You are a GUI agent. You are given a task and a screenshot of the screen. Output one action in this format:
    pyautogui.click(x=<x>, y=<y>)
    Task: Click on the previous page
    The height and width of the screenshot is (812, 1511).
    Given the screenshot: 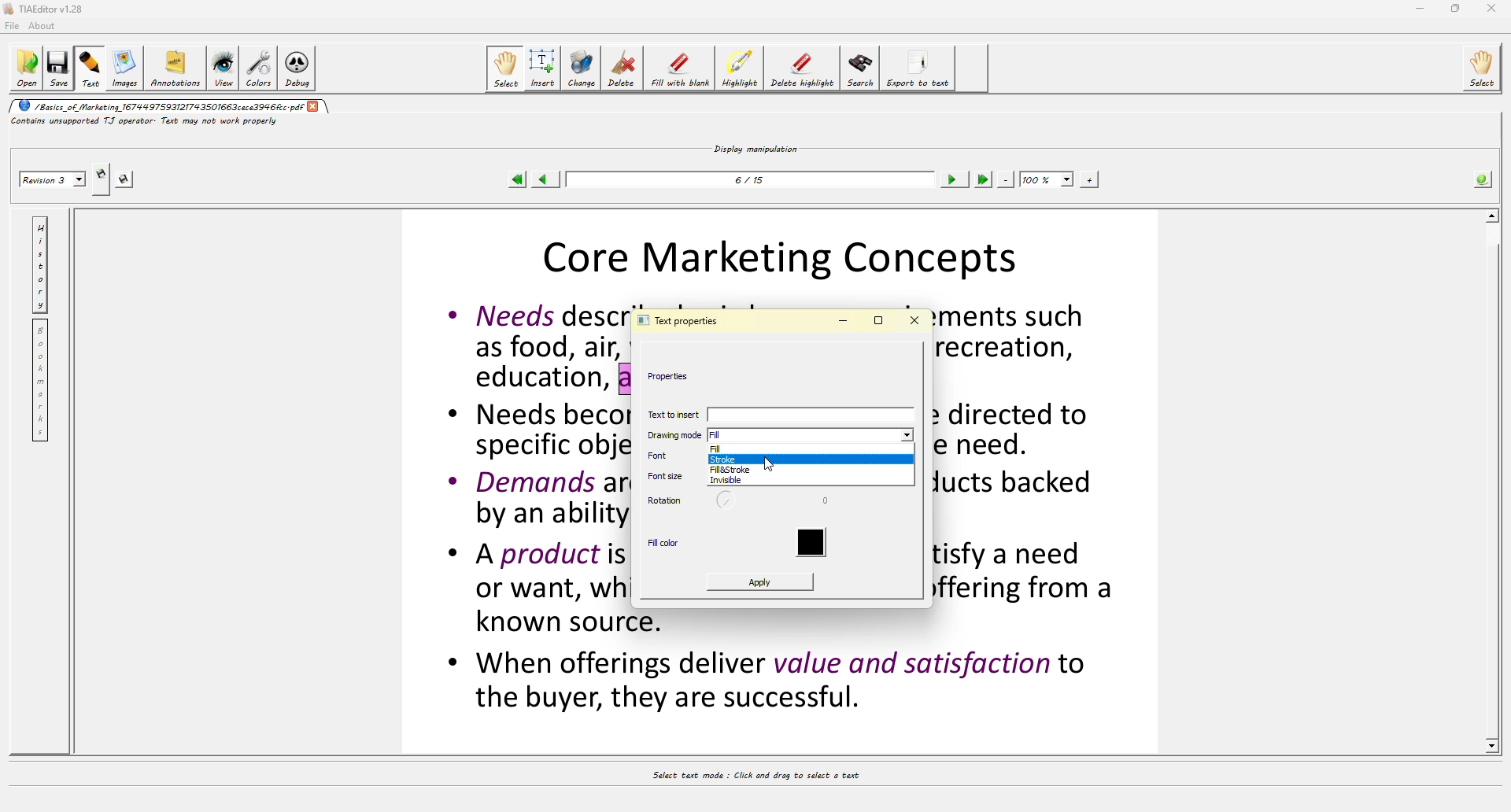 What is the action you would take?
    pyautogui.click(x=541, y=179)
    